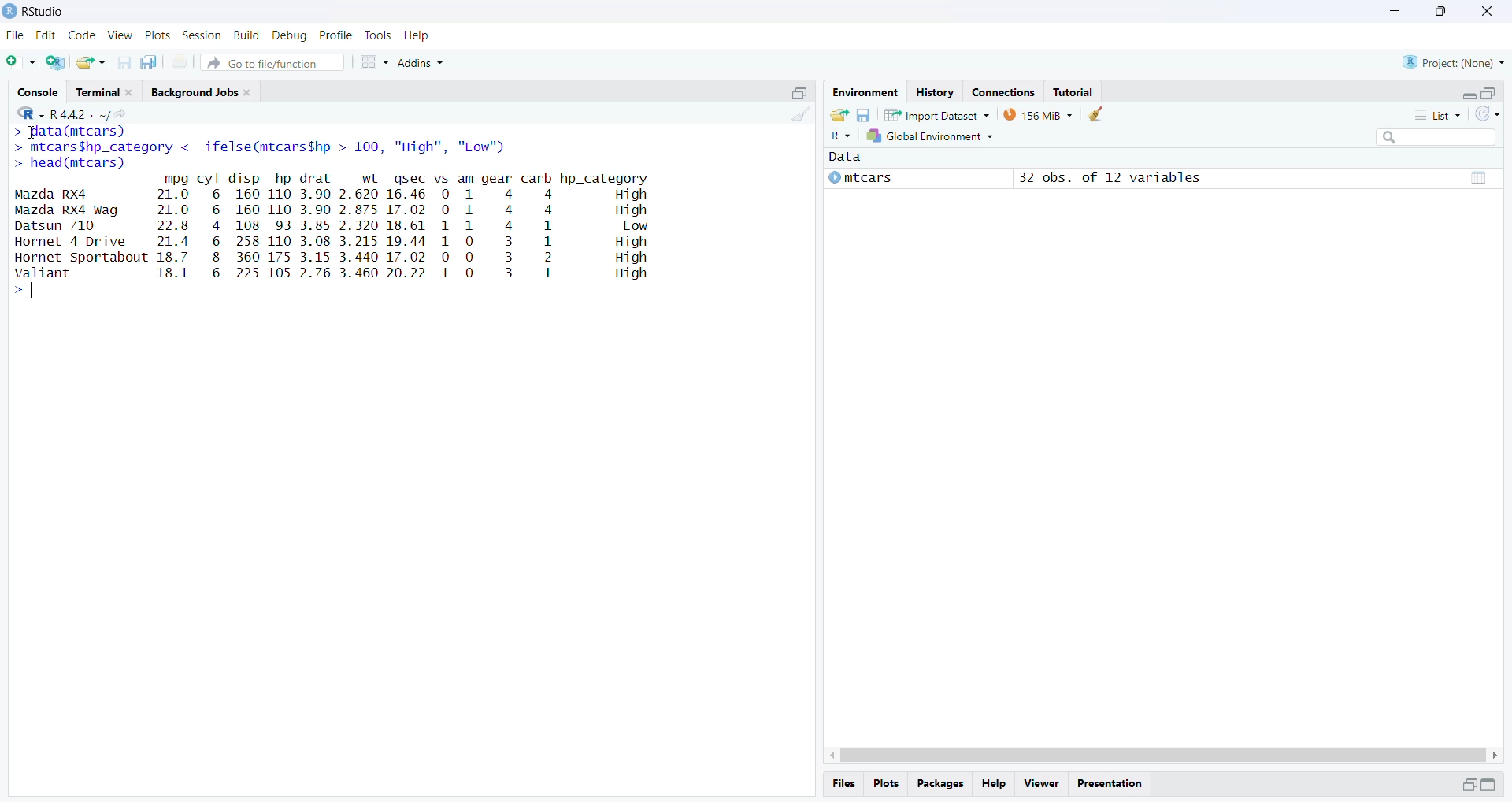 This screenshot has height=802, width=1512. I want to click on Project (None), so click(1455, 61).